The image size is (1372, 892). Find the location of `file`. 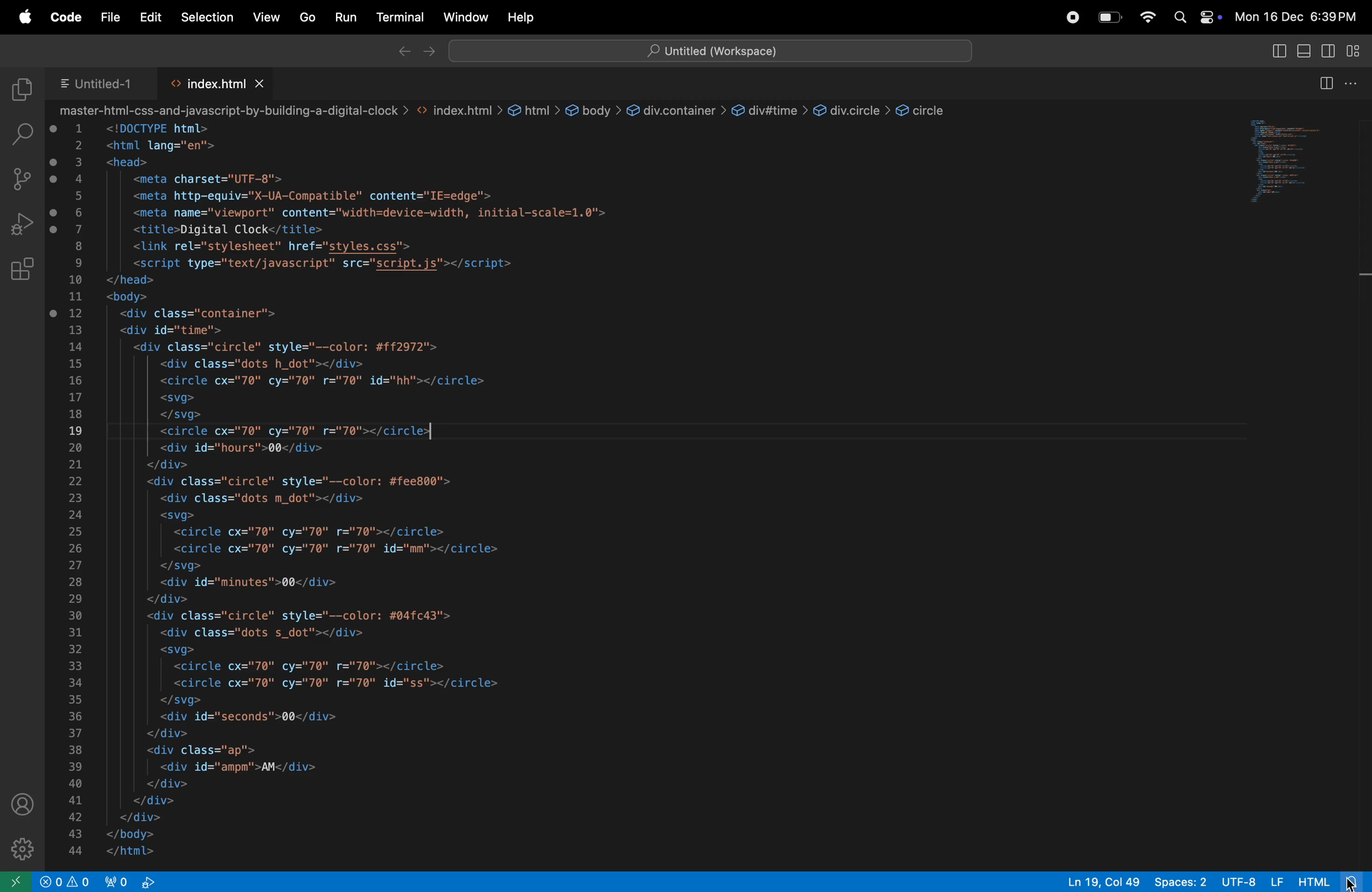

file is located at coordinates (108, 17).